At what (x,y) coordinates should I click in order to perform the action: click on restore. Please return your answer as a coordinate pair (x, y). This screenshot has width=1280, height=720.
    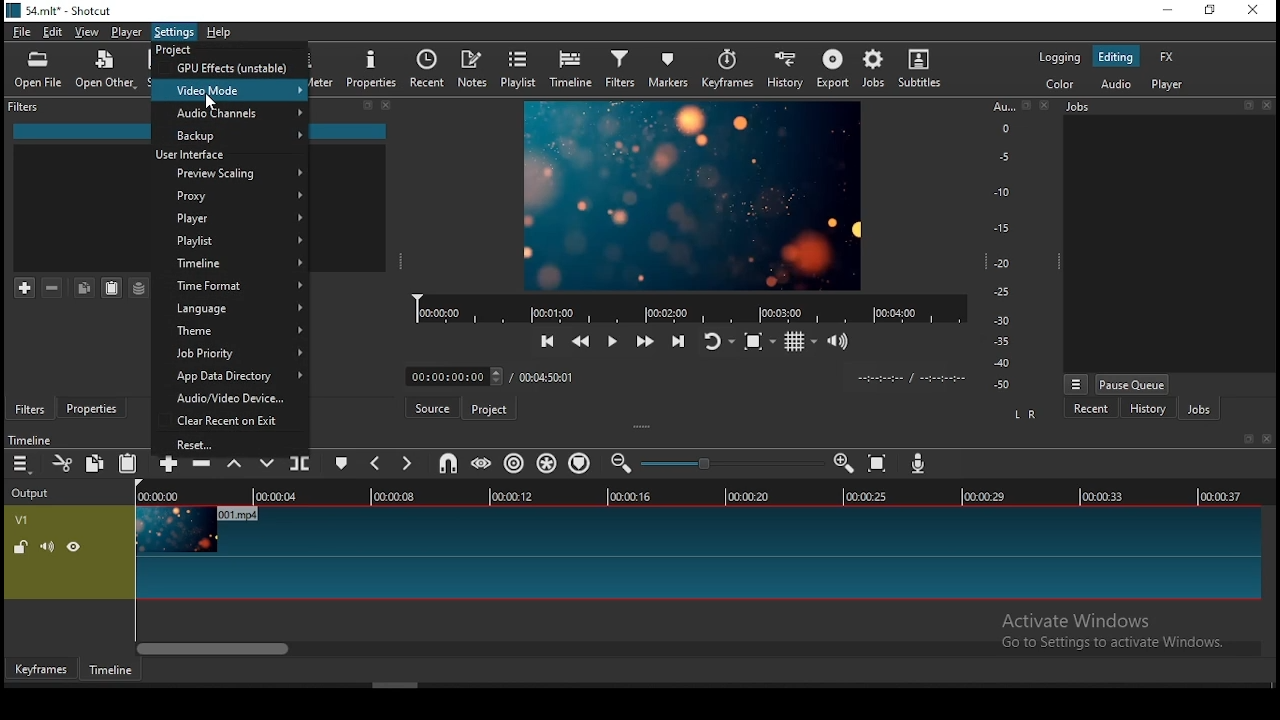
    Looking at the image, I should click on (367, 106).